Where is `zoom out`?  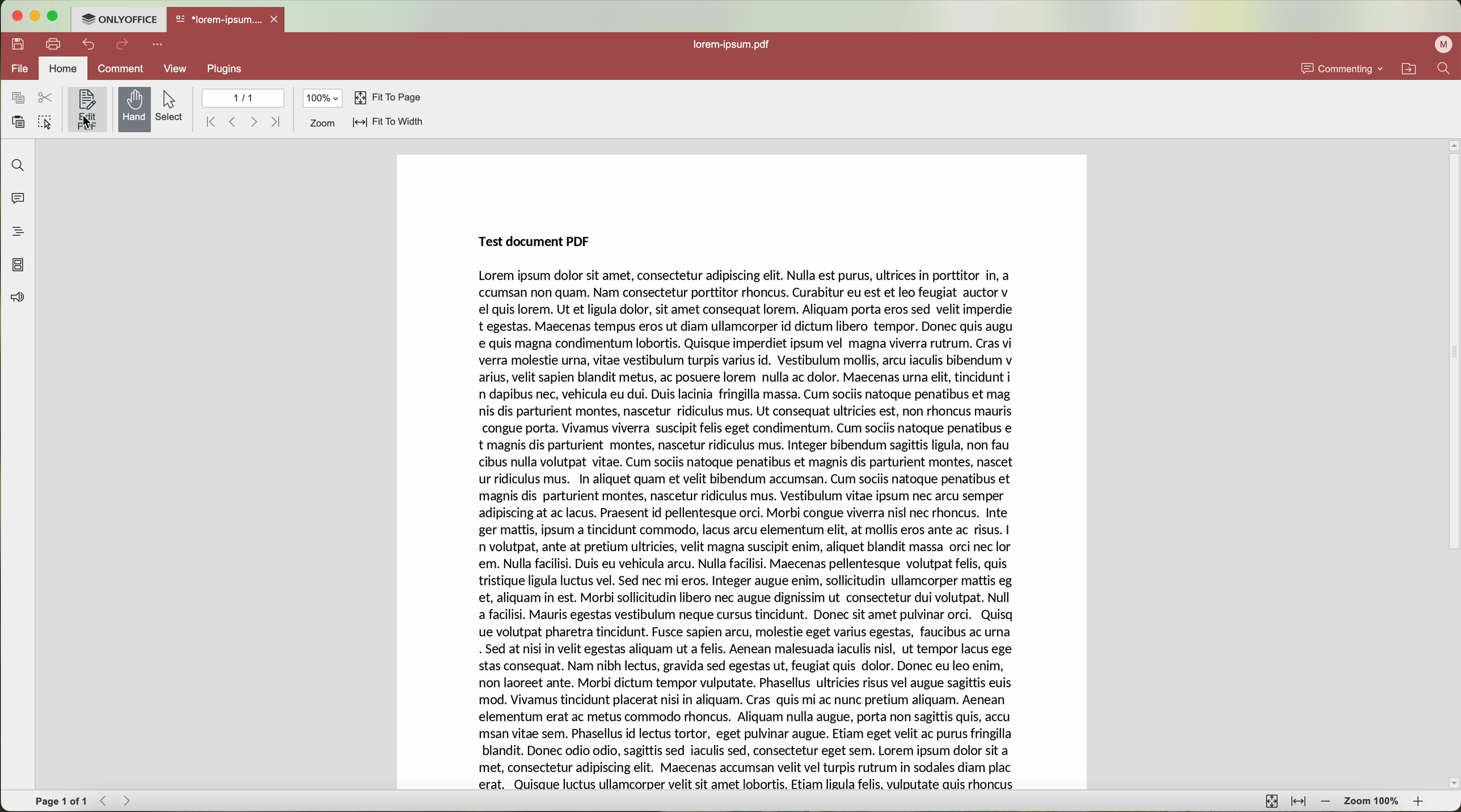 zoom out is located at coordinates (1328, 803).